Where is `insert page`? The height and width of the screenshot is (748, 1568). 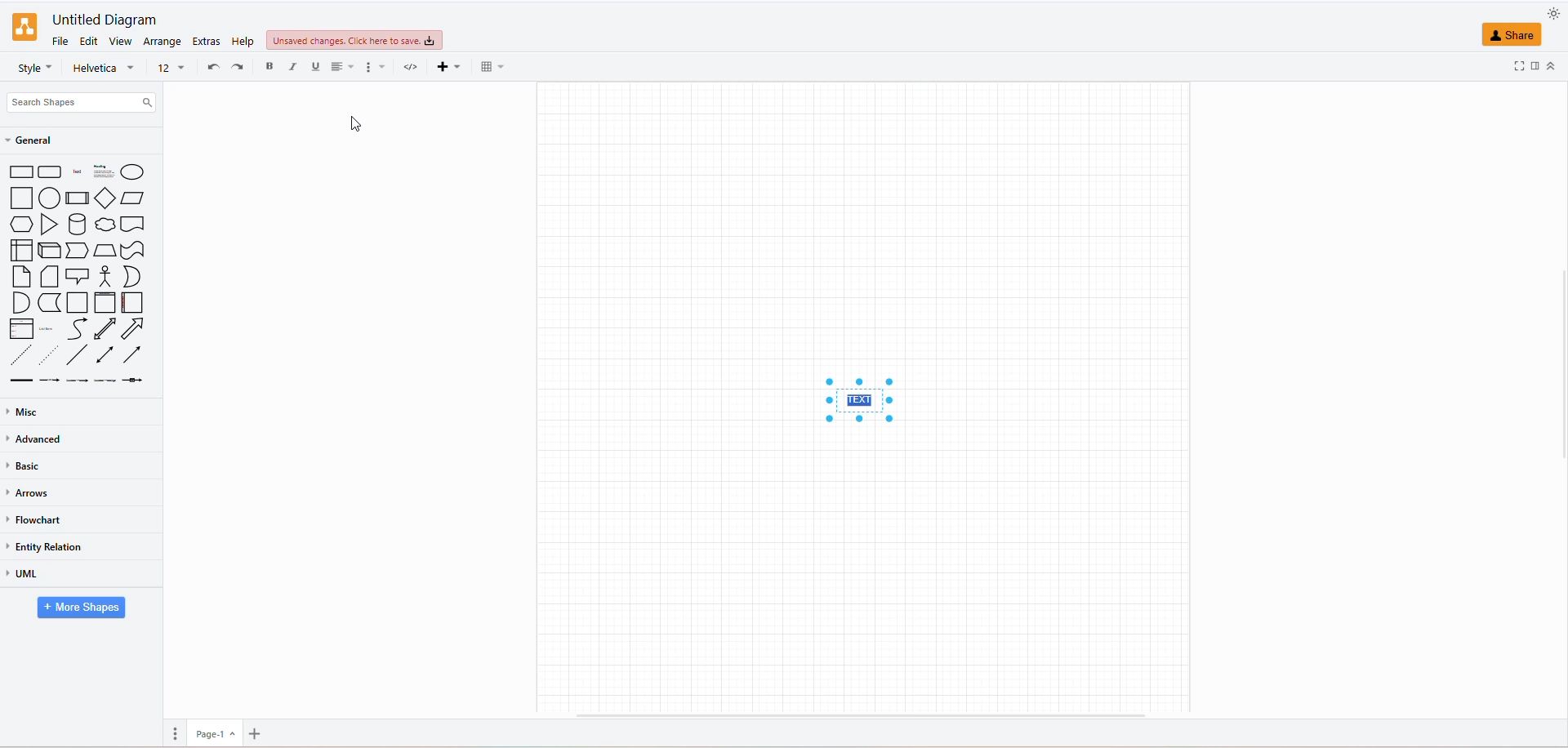
insert page is located at coordinates (256, 732).